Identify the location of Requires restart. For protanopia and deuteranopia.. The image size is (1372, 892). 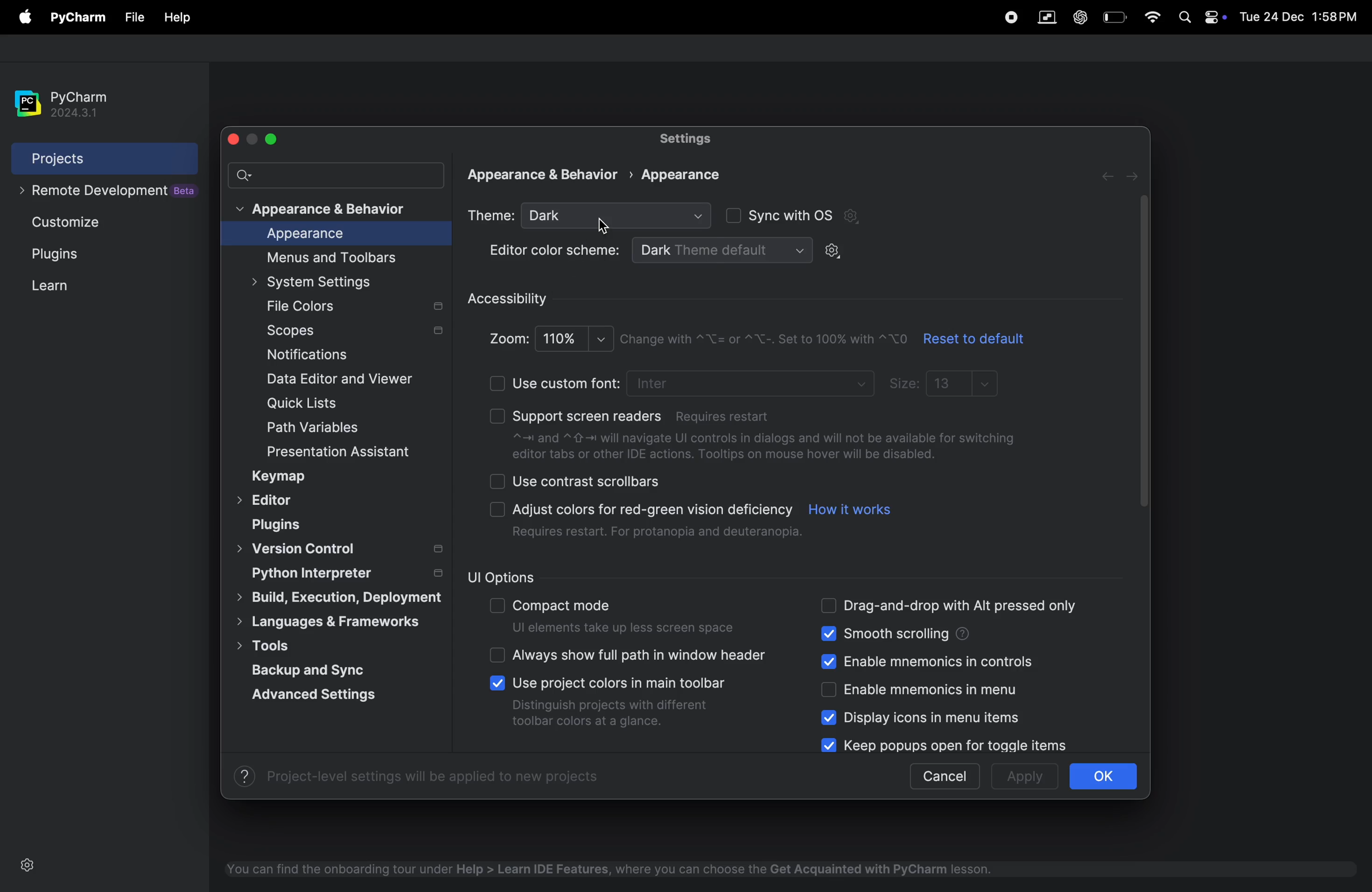
(660, 534).